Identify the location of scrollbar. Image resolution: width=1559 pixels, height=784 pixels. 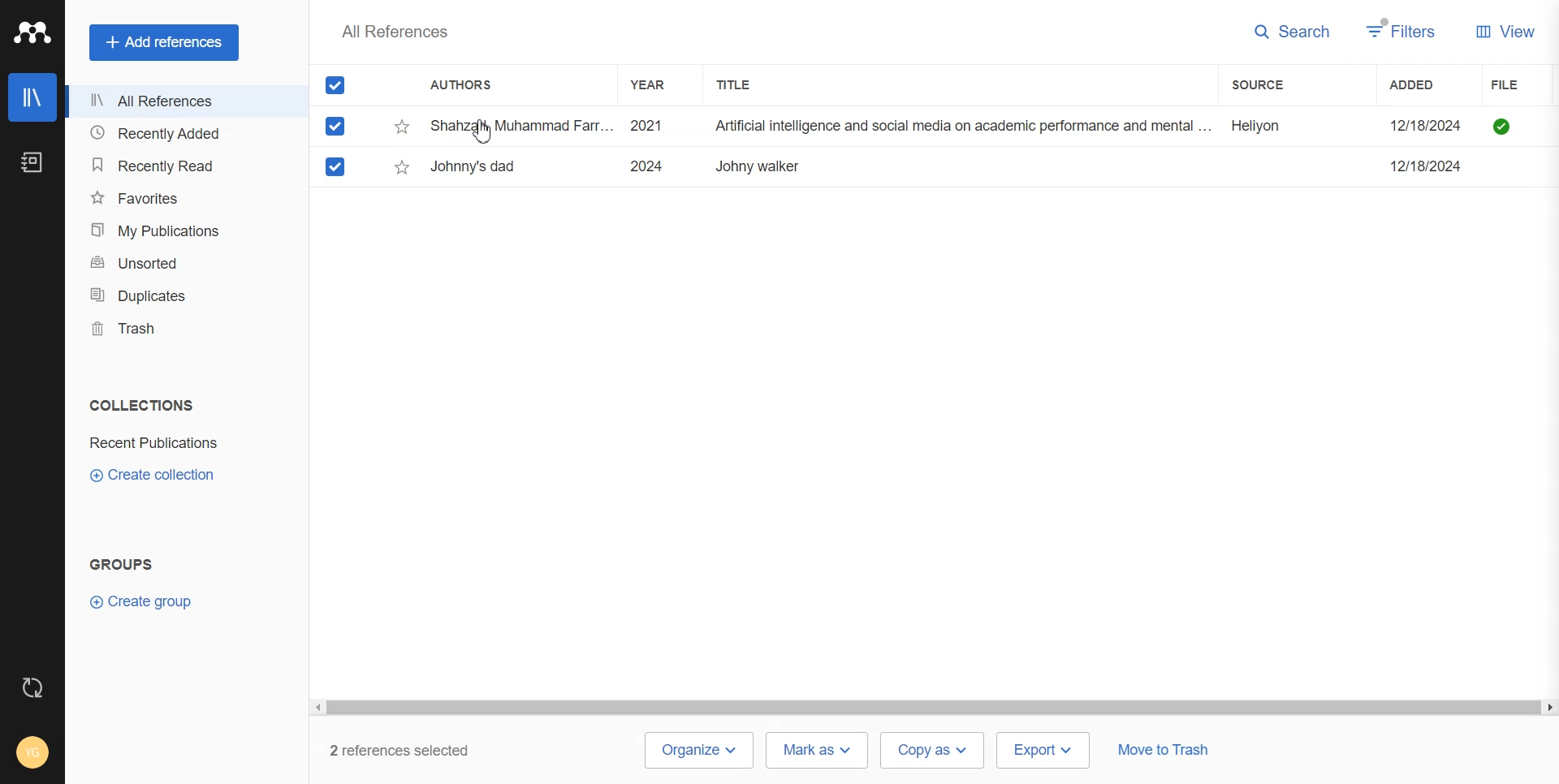
(933, 709).